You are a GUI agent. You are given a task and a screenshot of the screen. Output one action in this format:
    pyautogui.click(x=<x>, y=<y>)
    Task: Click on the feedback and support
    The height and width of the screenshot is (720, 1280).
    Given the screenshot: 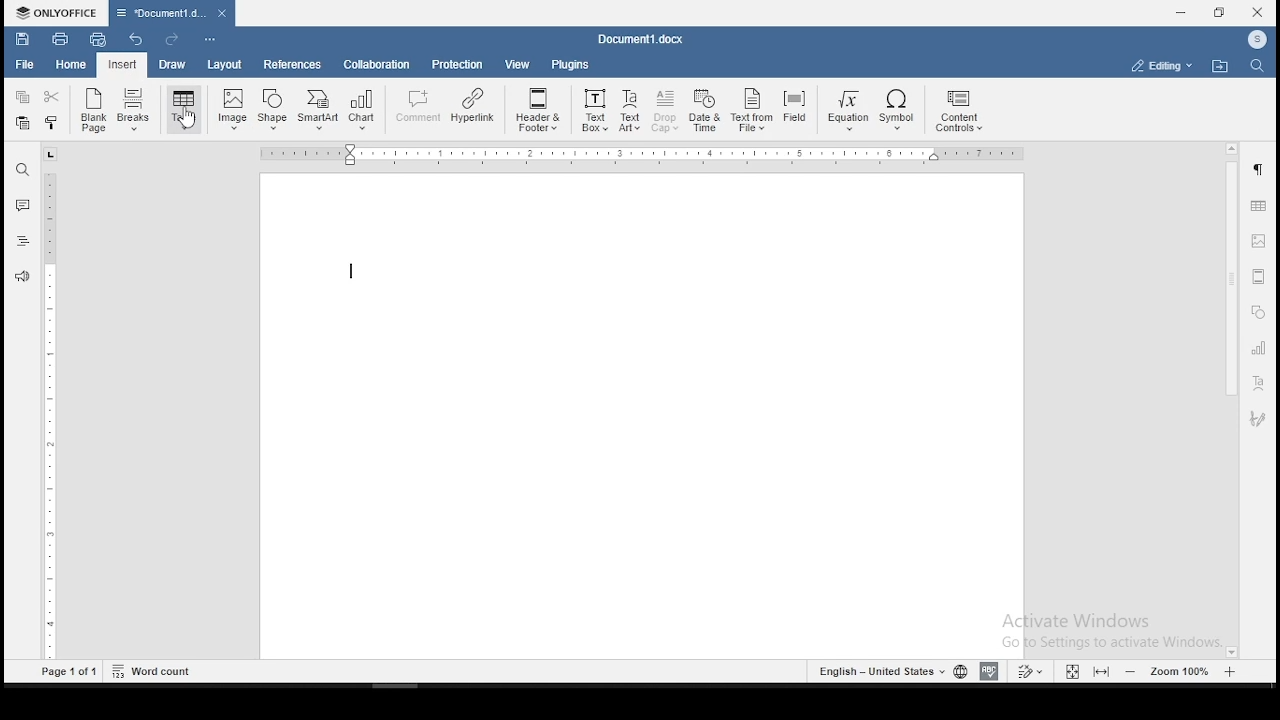 What is the action you would take?
    pyautogui.click(x=23, y=275)
    